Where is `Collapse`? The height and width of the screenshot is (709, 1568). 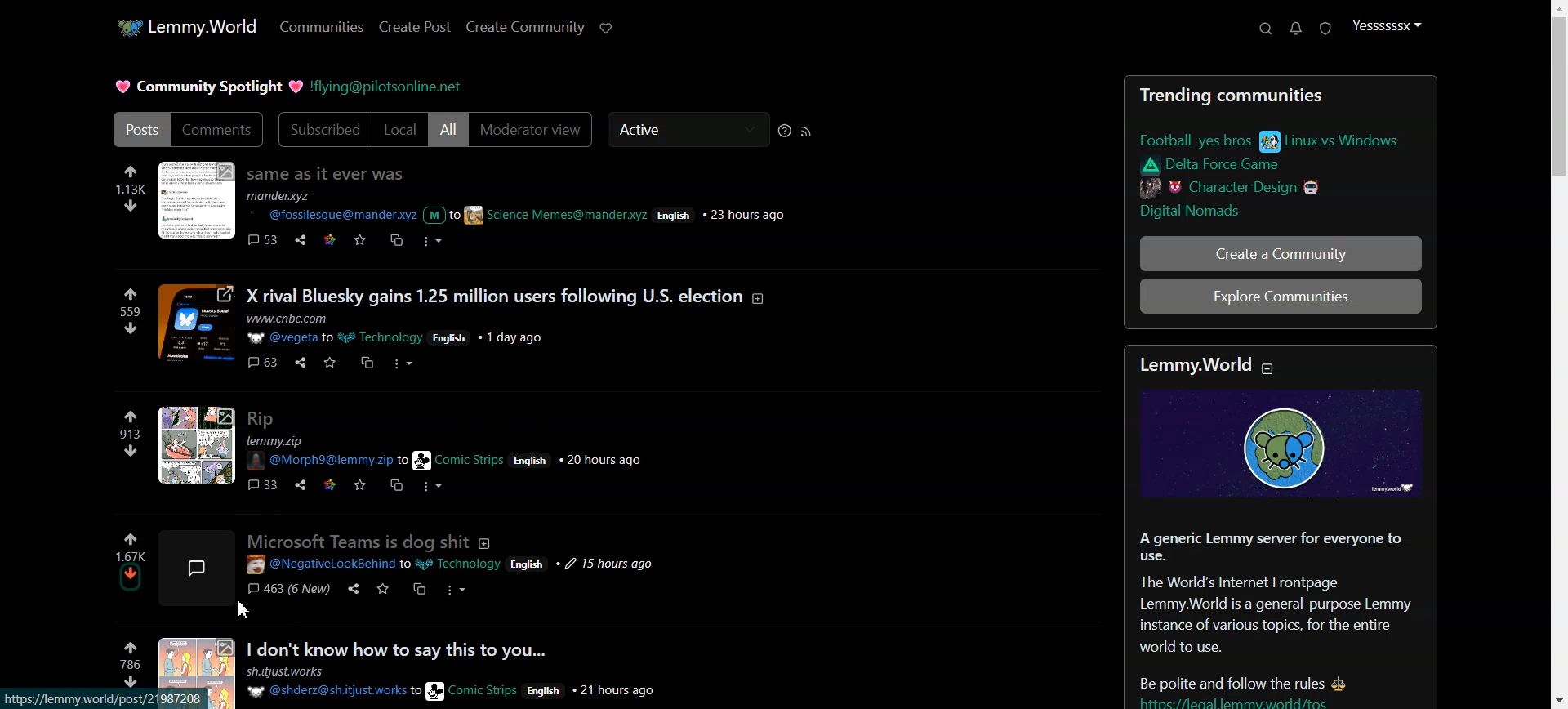 Collapse is located at coordinates (1267, 368).